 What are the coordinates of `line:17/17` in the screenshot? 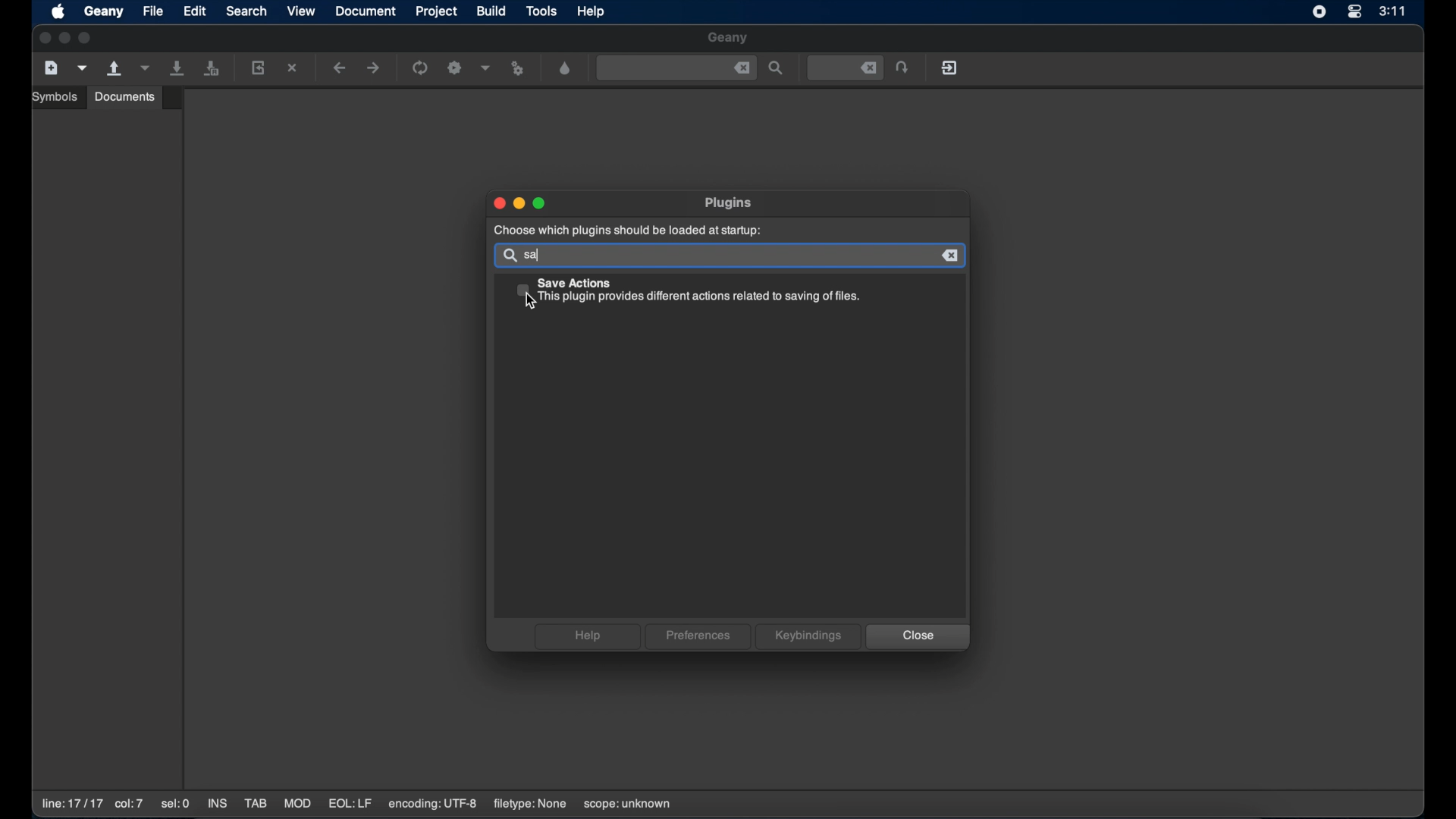 It's located at (71, 804).